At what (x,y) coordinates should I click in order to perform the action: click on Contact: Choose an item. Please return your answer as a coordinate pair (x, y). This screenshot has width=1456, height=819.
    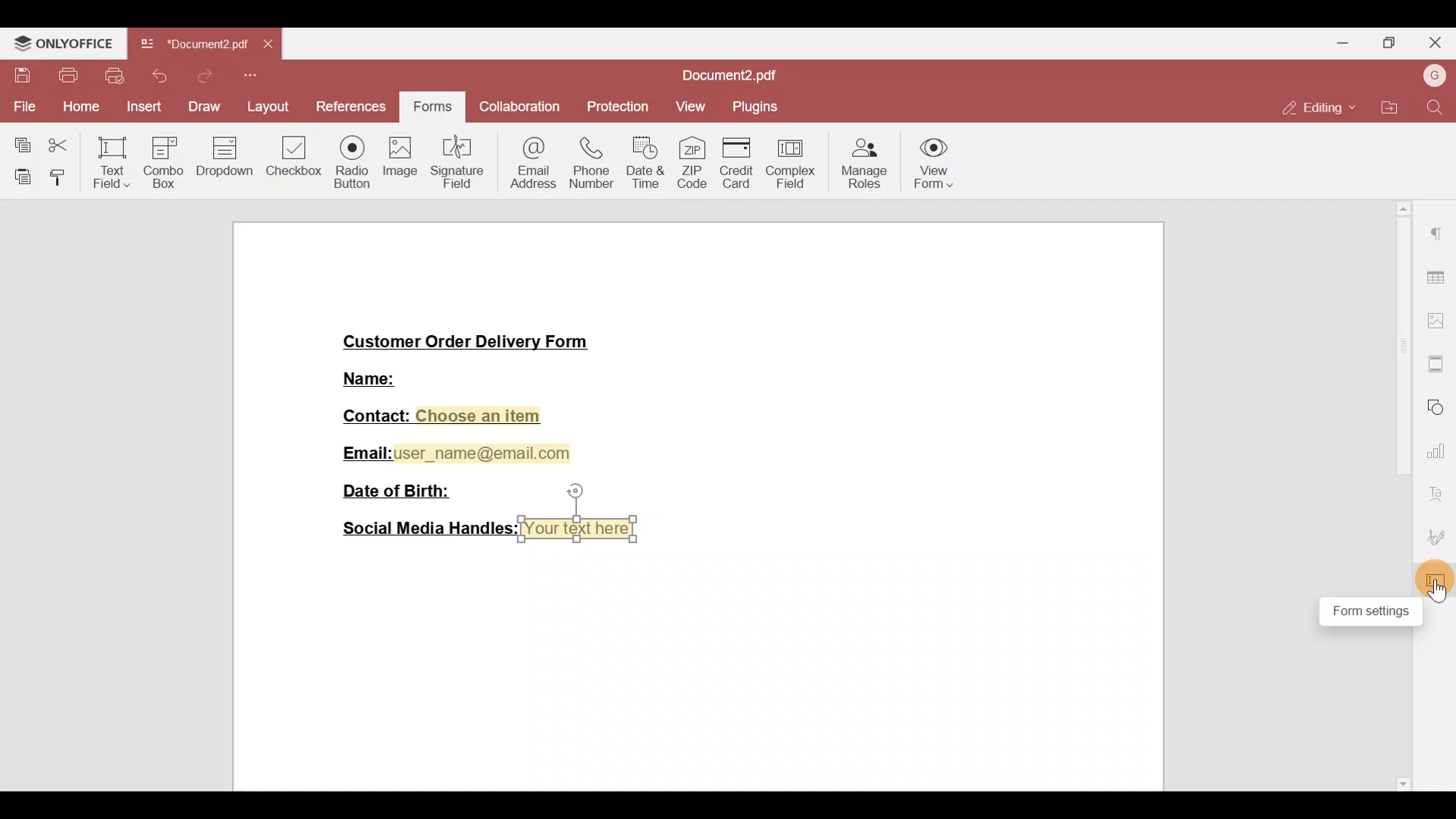
    Looking at the image, I should click on (441, 415).